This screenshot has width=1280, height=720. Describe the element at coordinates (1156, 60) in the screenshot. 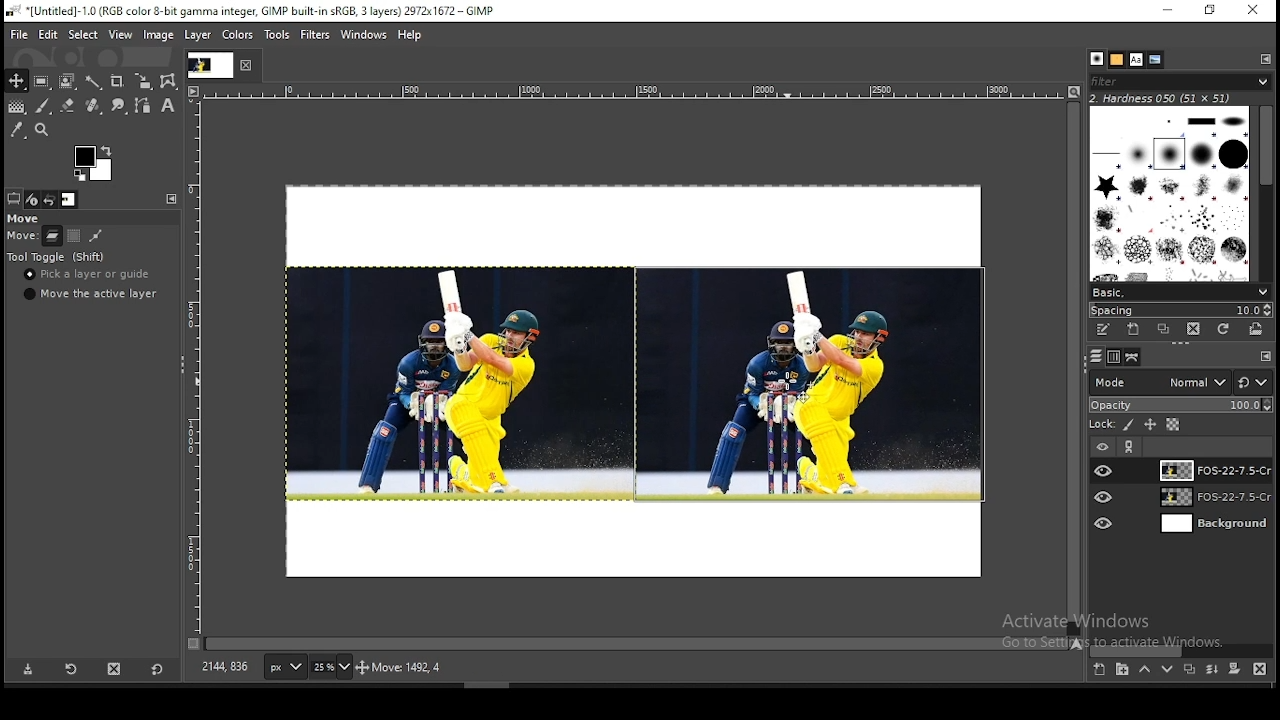

I see `document history` at that location.